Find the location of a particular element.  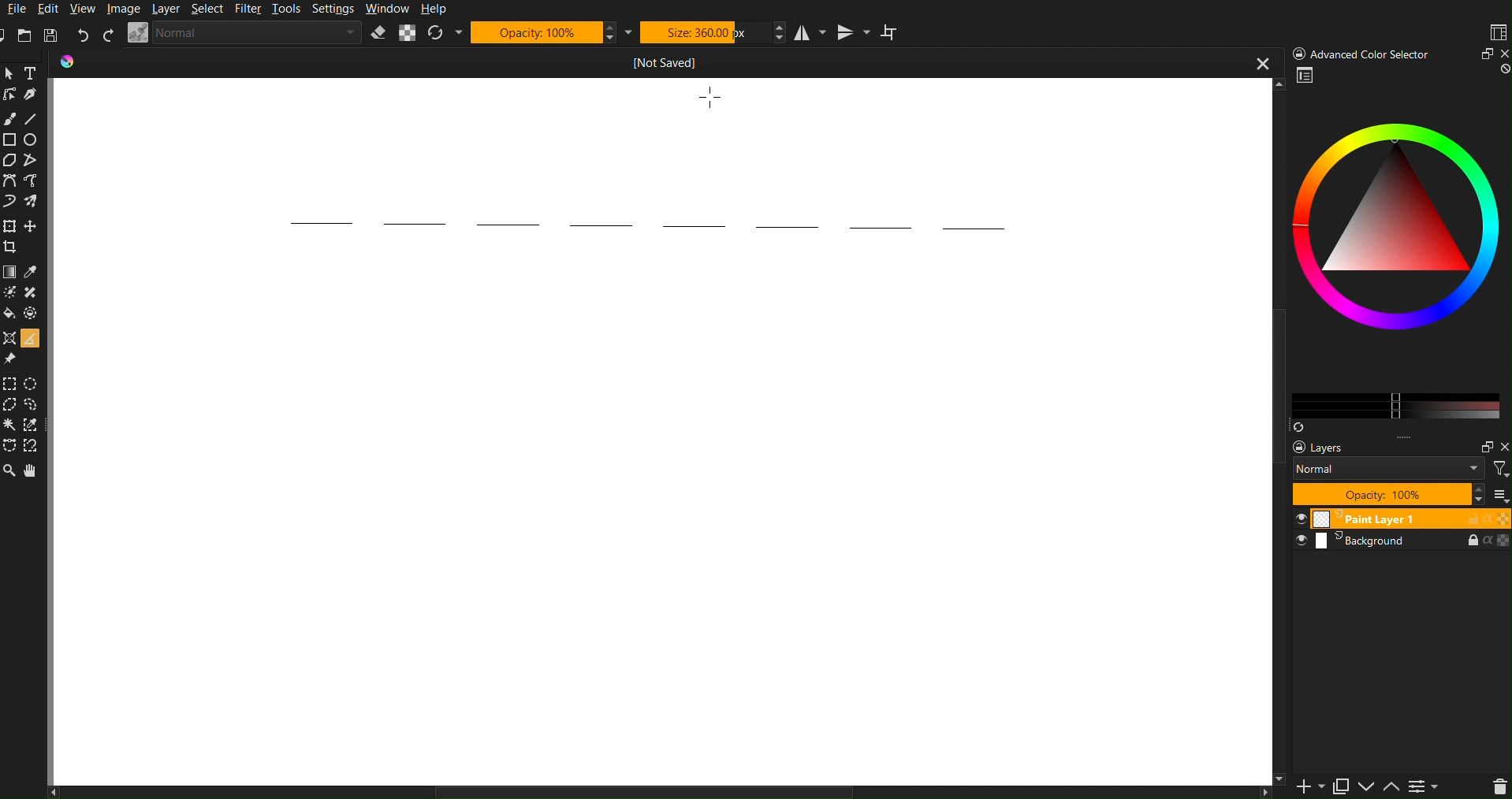

Brush Settings is located at coordinates (245, 33).